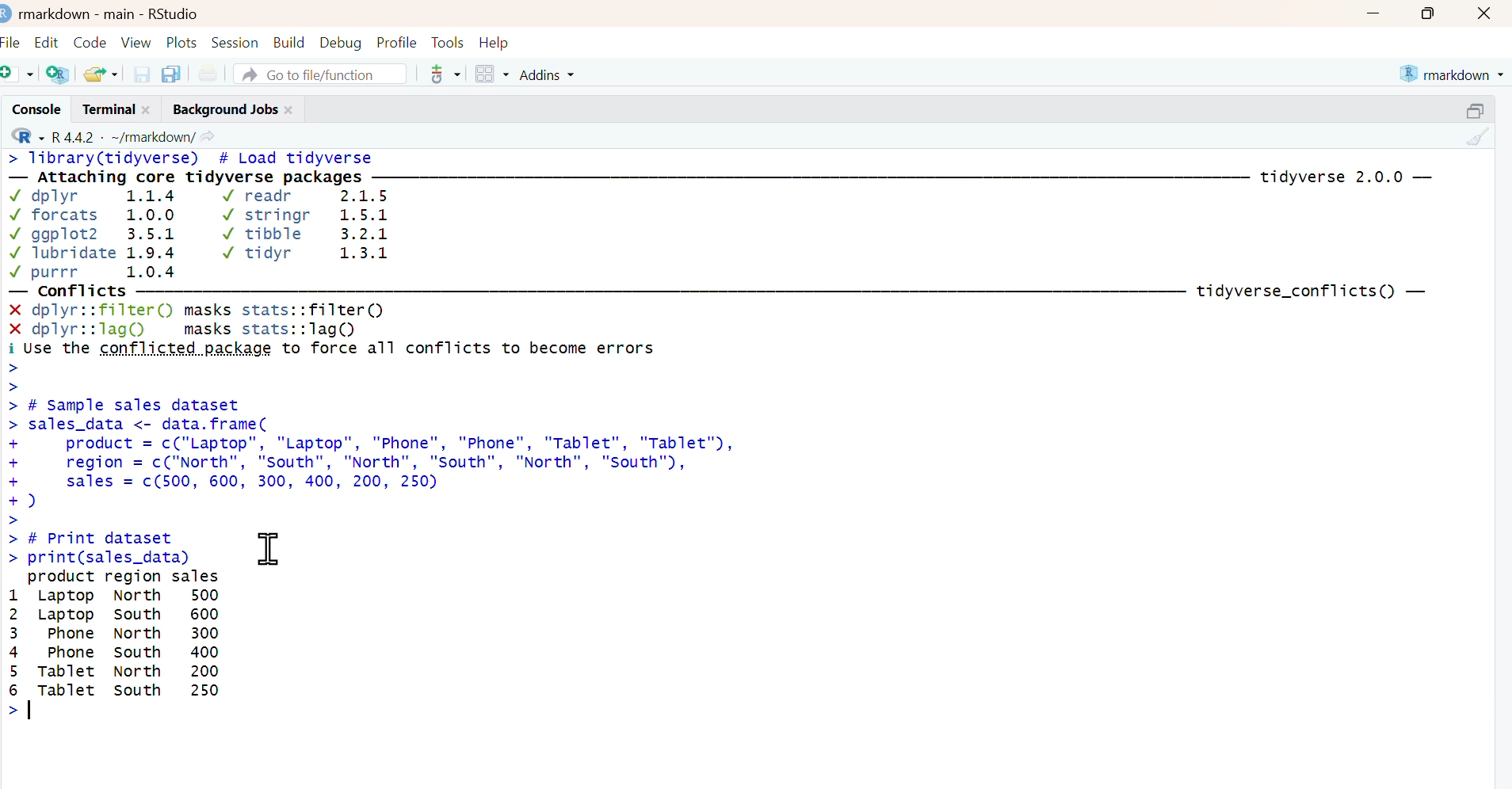 The height and width of the screenshot is (789, 1512). What do you see at coordinates (1487, 13) in the screenshot?
I see `close` at bounding box center [1487, 13].